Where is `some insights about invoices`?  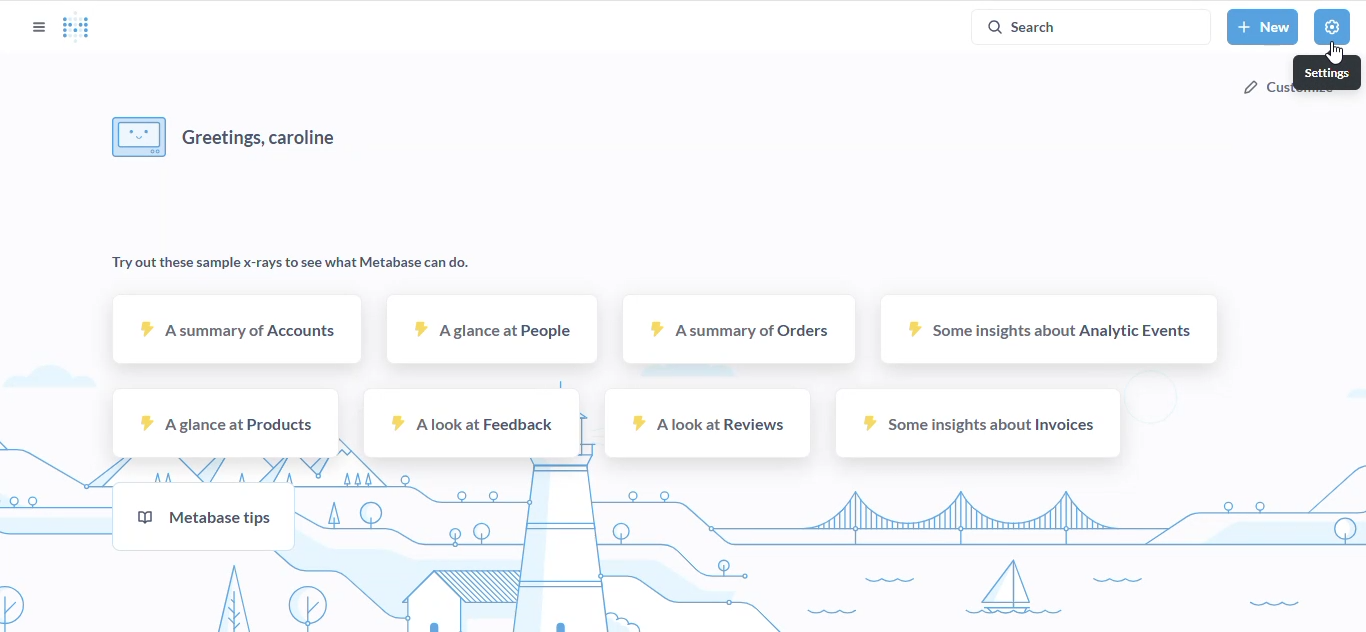 some insights about invoices is located at coordinates (978, 423).